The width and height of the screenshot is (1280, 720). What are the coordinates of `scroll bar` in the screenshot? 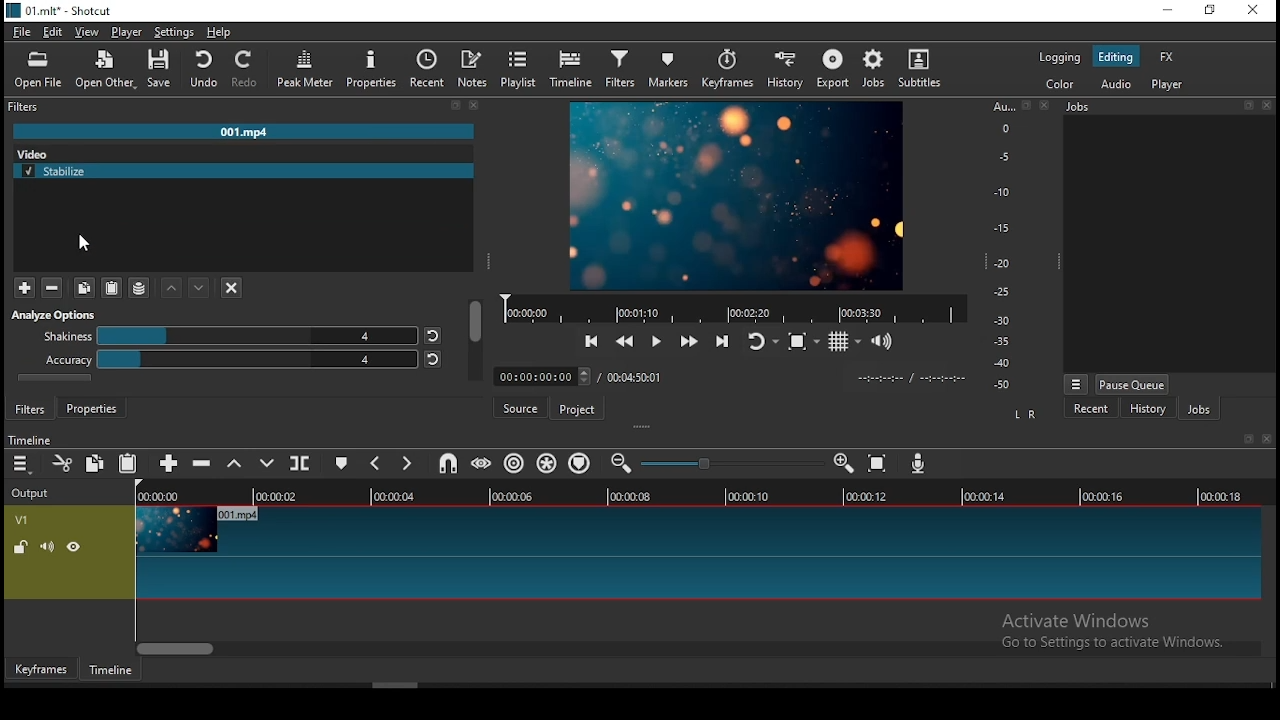 It's located at (478, 341).